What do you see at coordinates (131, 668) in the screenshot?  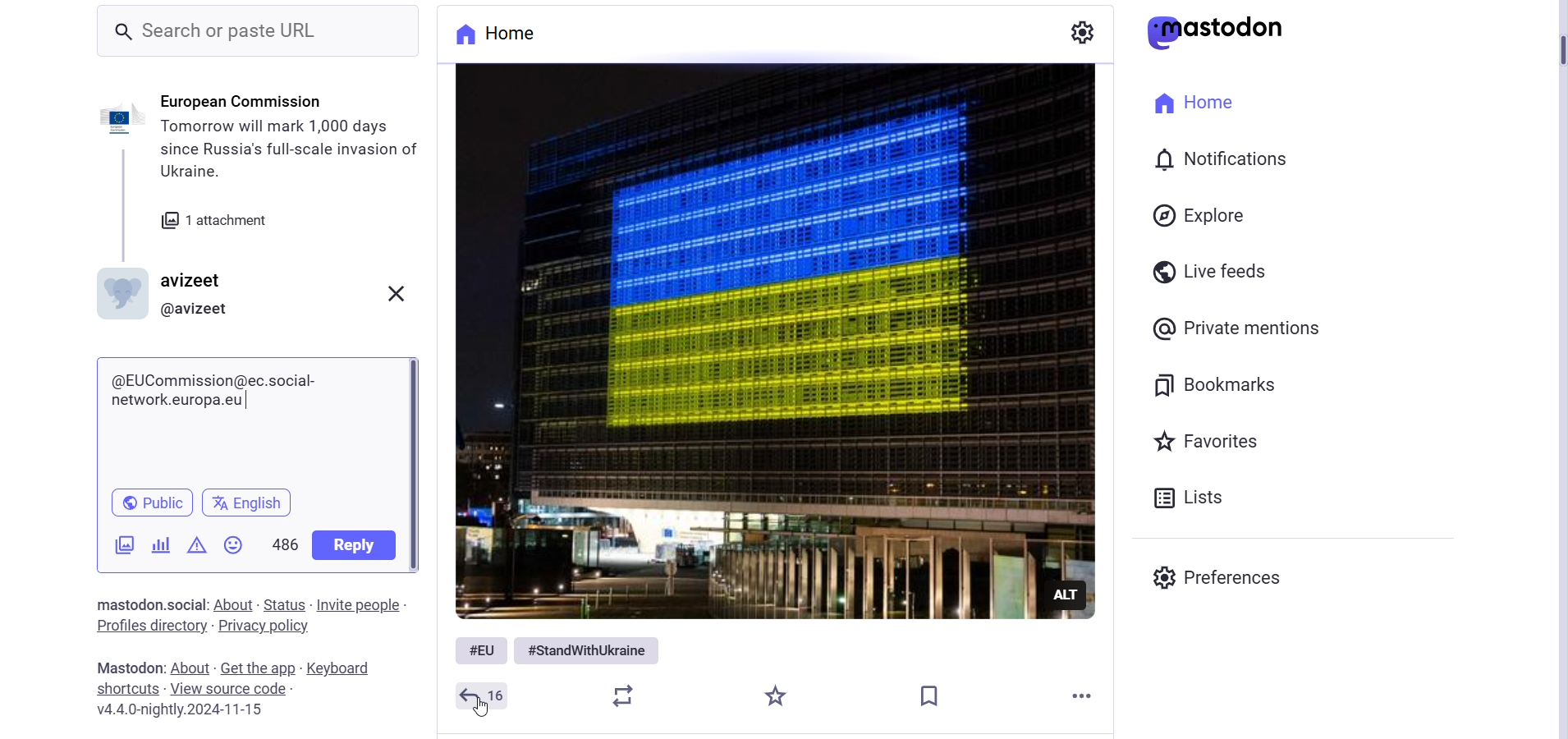 I see `Mastodon` at bounding box center [131, 668].